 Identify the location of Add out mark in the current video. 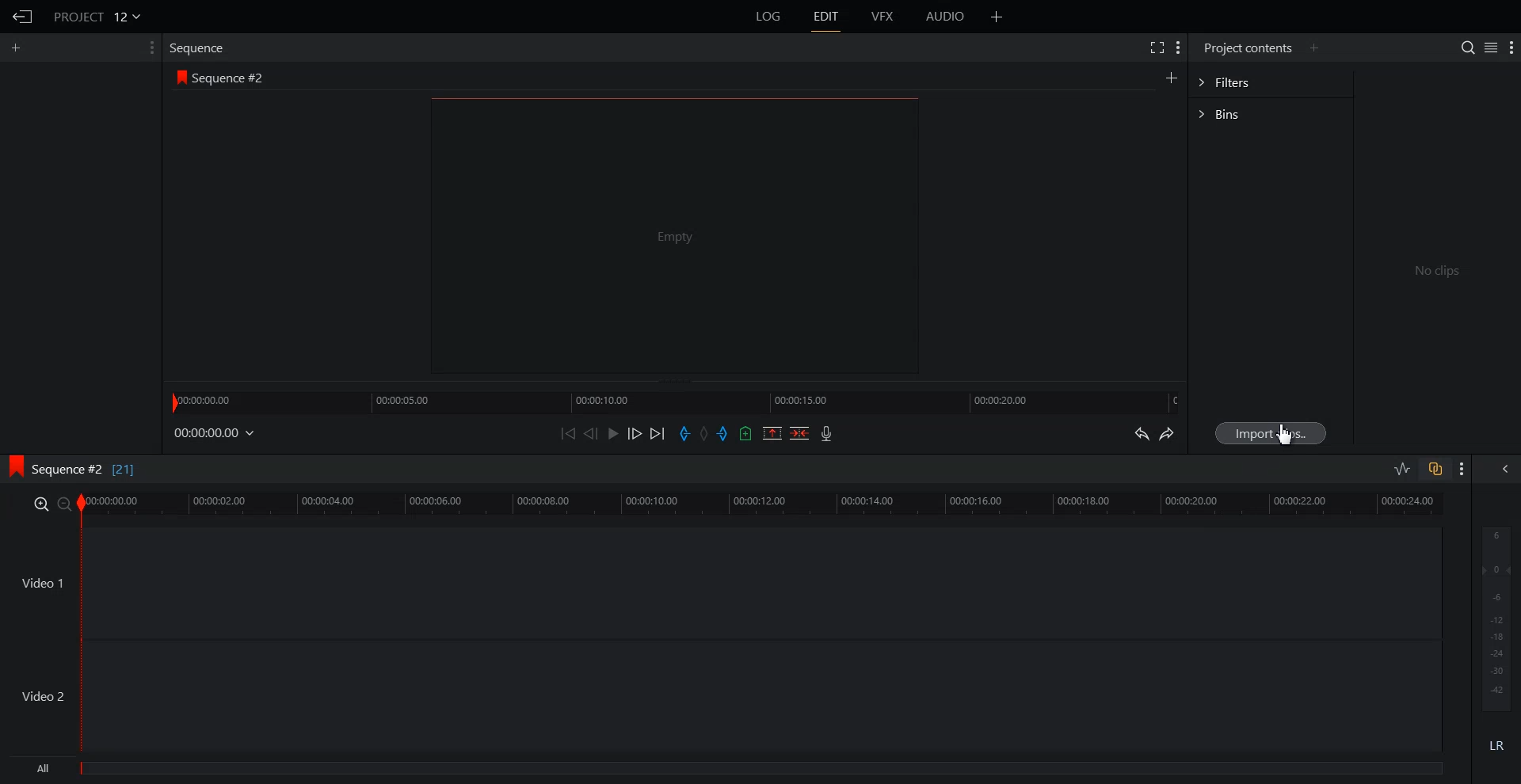
(723, 434).